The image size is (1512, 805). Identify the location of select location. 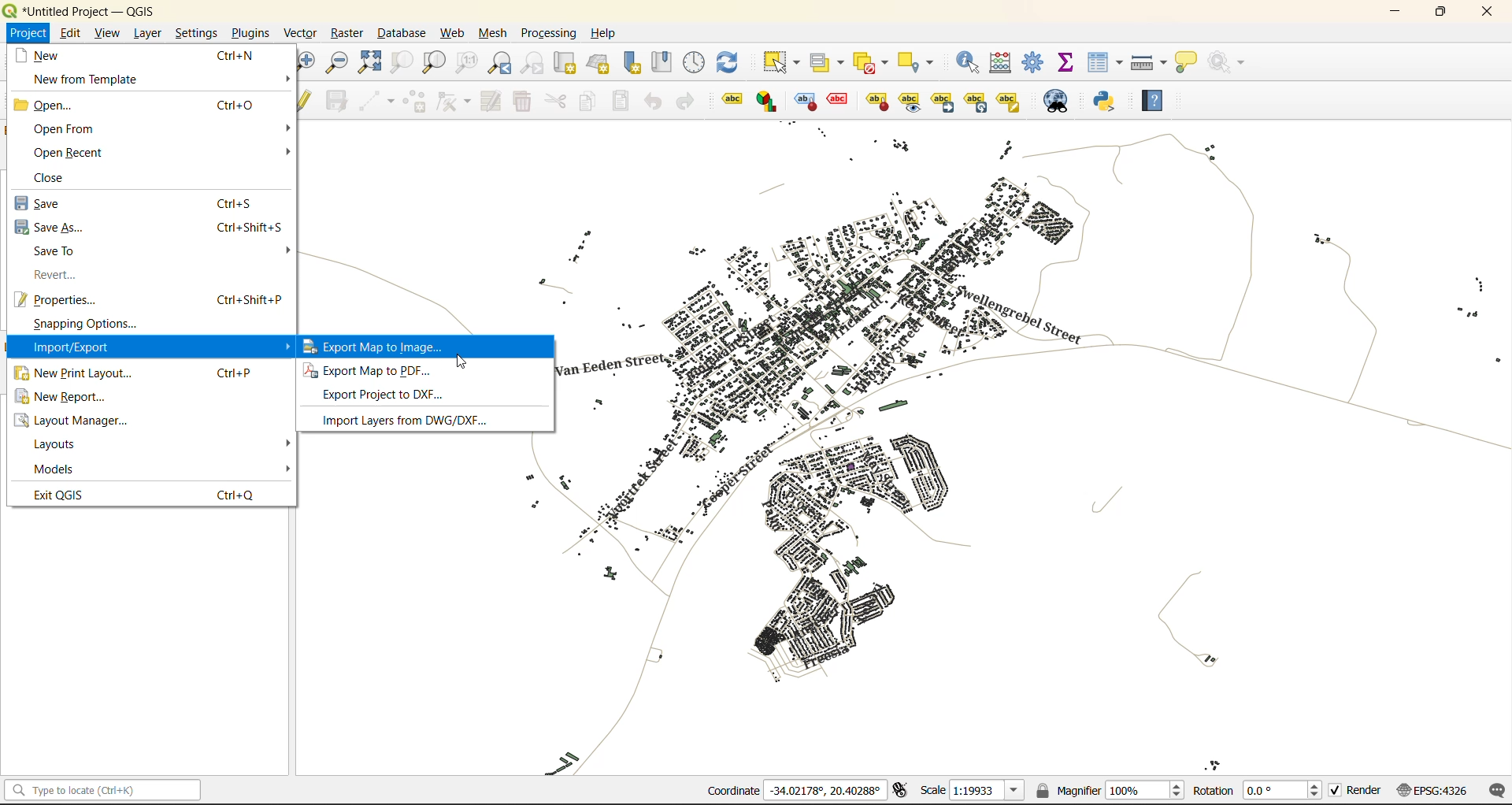
(921, 61).